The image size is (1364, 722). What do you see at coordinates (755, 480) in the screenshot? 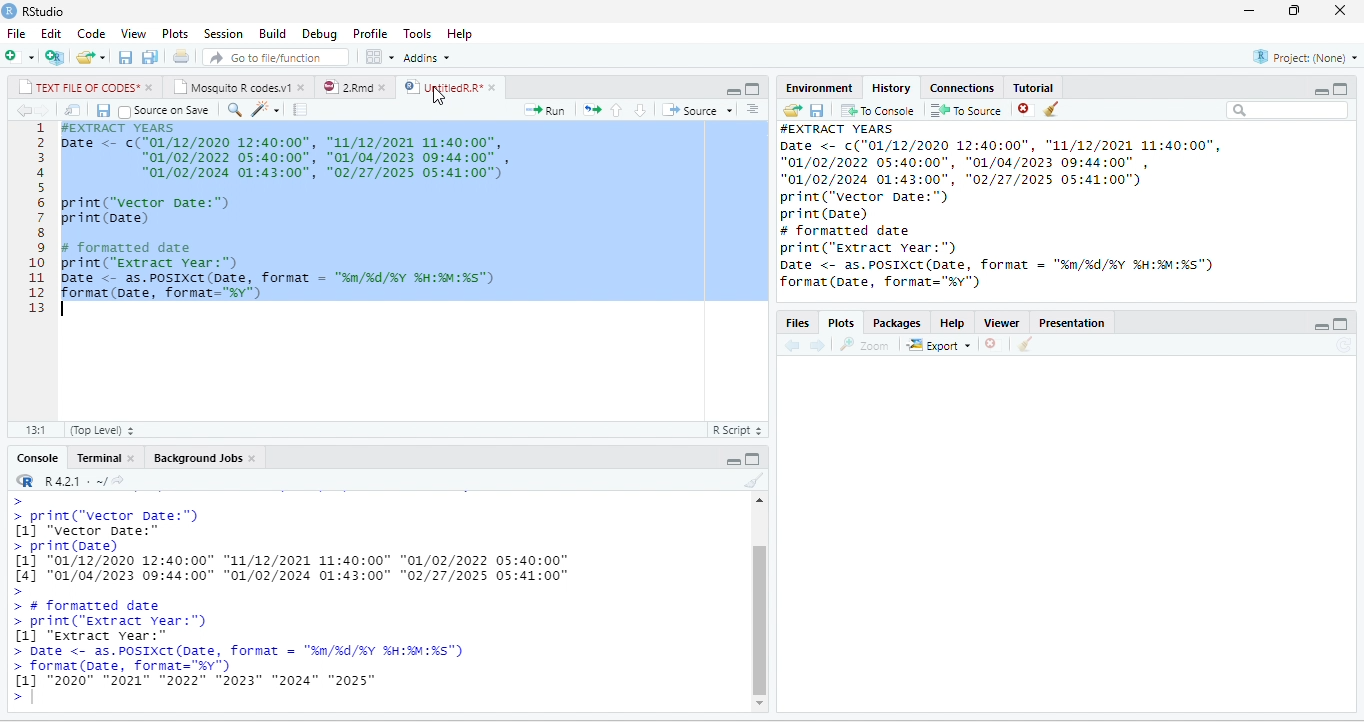
I see `clear` at bounding box center [755, 480].